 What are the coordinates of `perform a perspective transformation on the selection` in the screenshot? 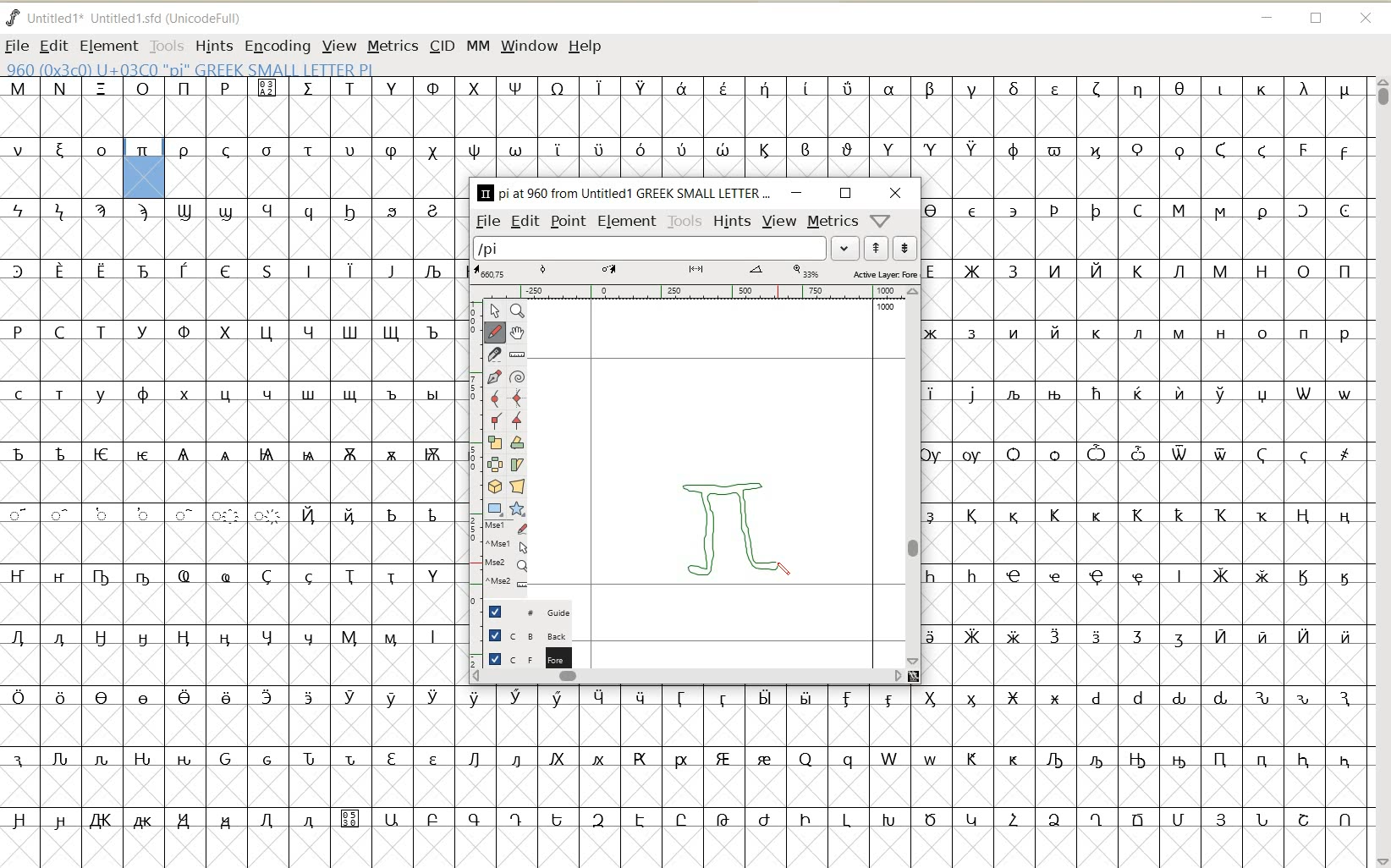 It's located at (519, 486).